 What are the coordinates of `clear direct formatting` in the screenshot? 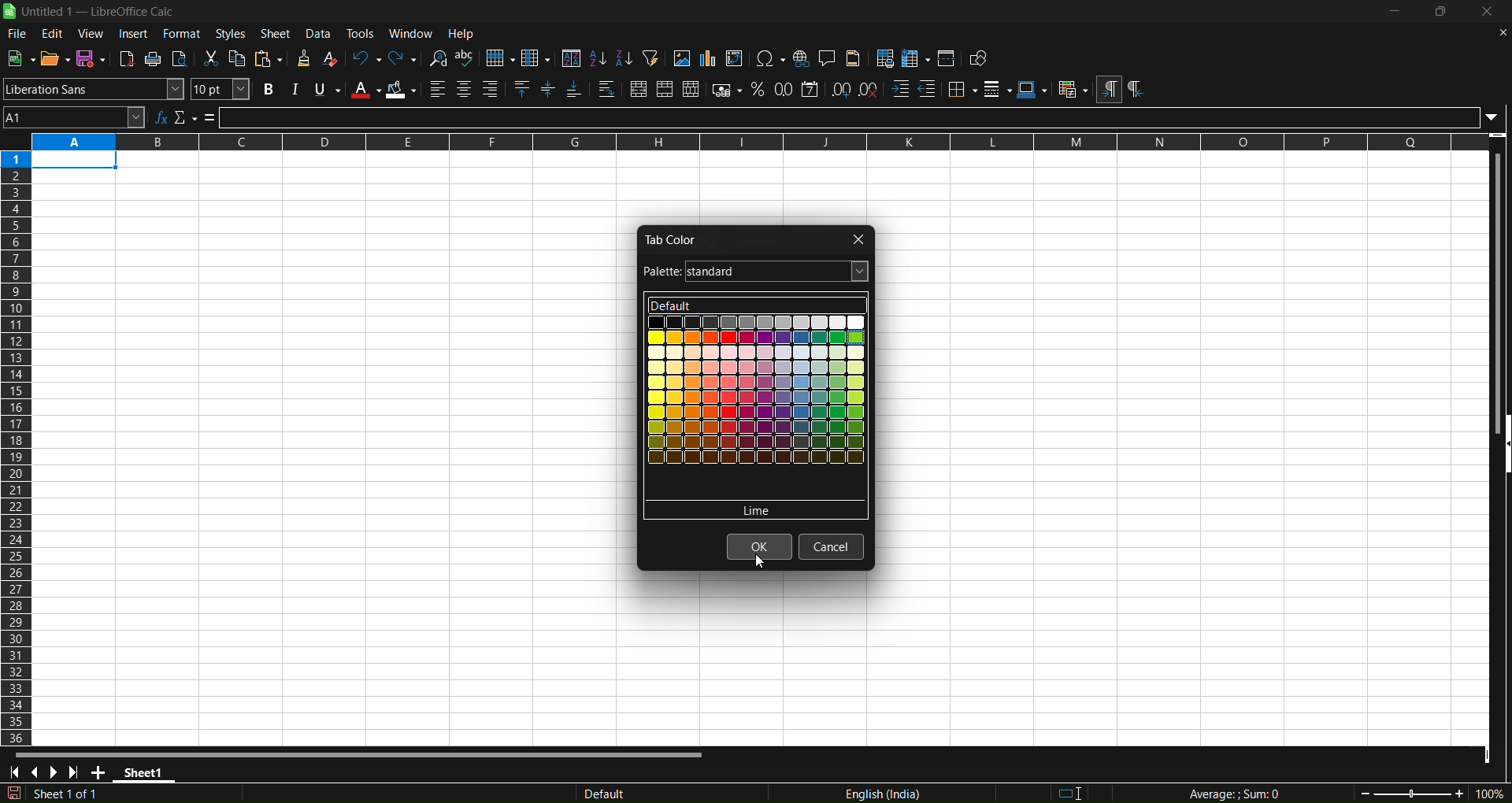 It's located at (332, 58).